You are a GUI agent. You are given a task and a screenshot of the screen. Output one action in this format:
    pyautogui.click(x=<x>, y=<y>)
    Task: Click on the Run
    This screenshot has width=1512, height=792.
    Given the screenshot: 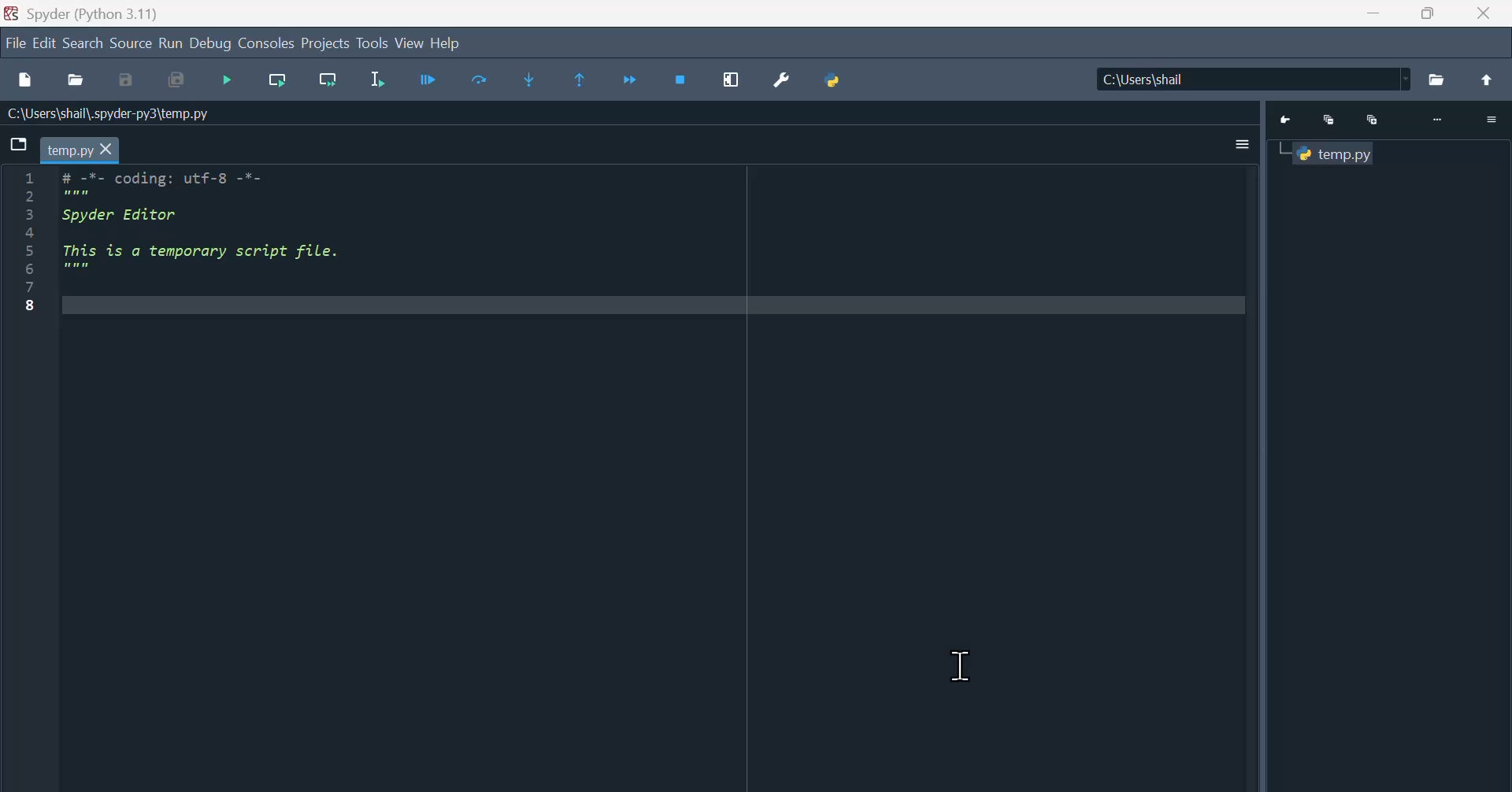 What is the action you would take?
    pyautogui.click(x=171, y=42)
    